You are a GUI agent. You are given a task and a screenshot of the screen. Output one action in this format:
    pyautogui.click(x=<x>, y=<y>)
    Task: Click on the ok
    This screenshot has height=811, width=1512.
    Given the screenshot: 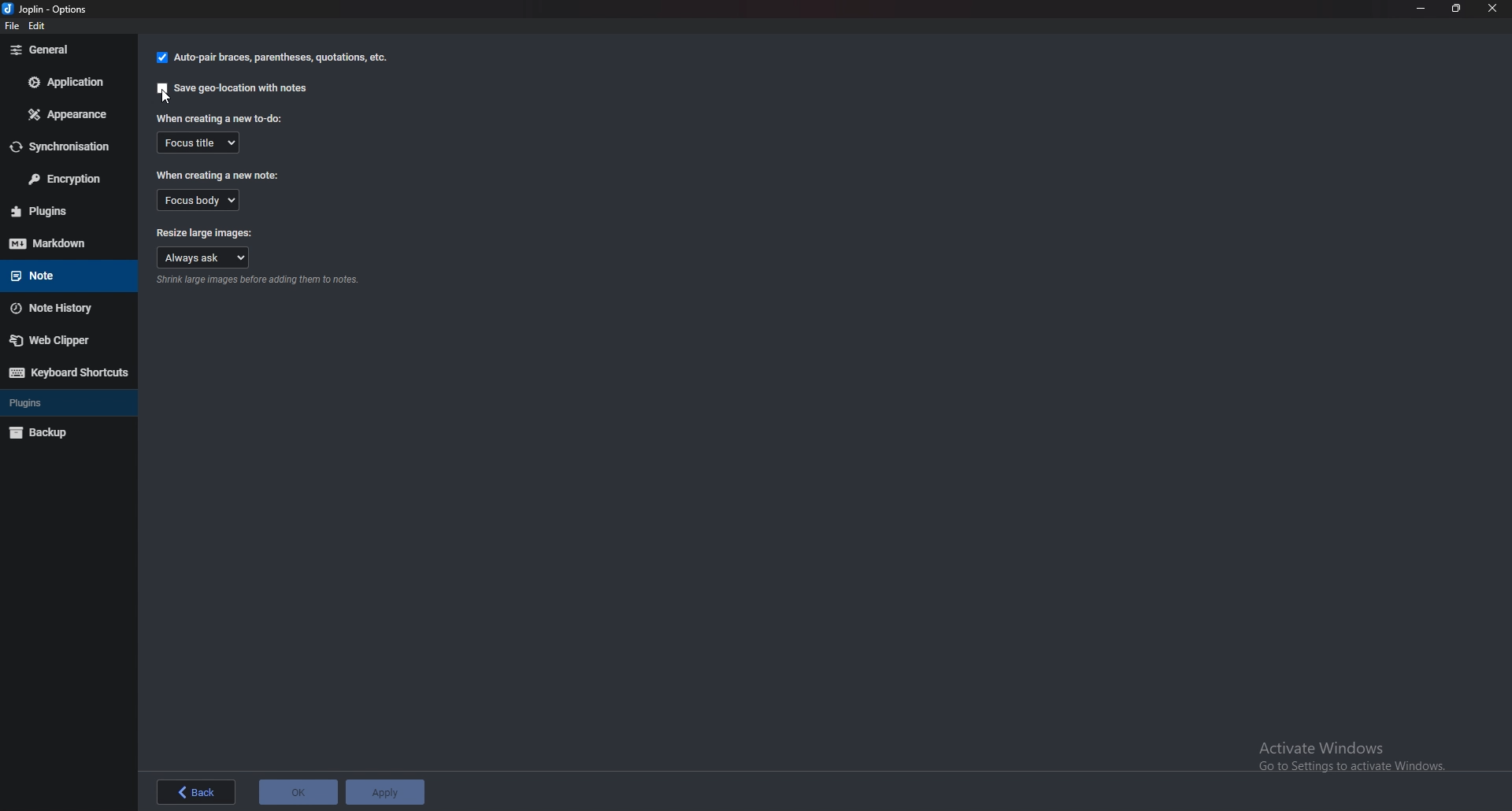 What is the action you would take?
    pyautogui.click(x=300, y=792)
    